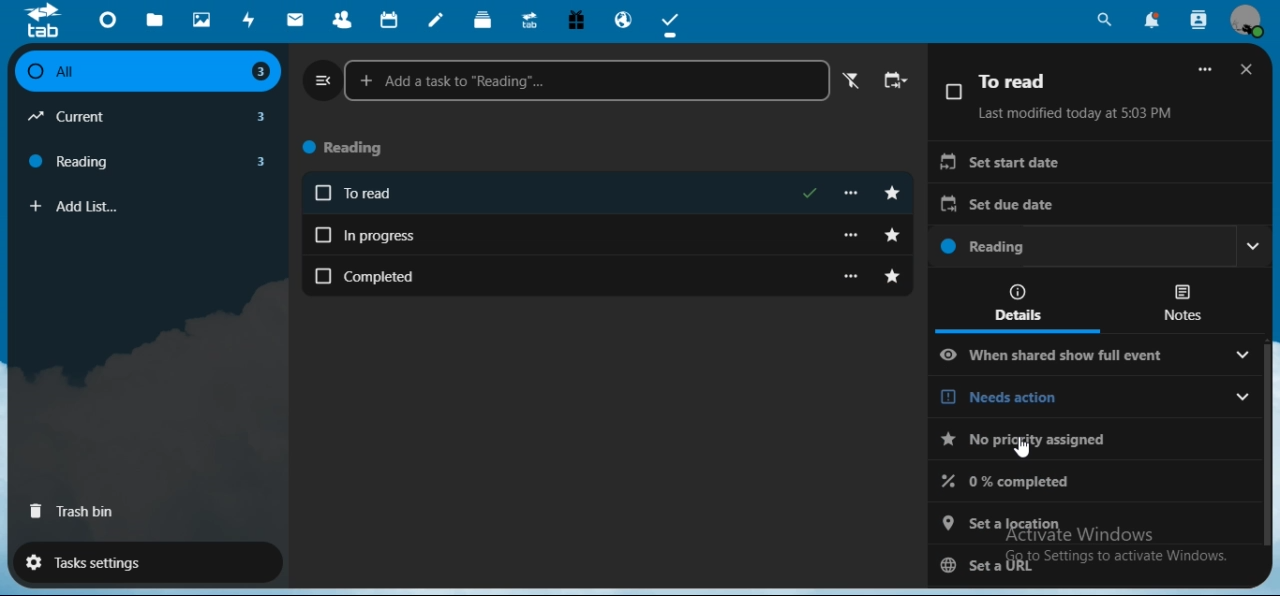 This screenshot has width=1280, height=596. What do you see at coordinates (1243, 395) in the screenshot?
I see `Drop down` at bounding box center [1243, 395].